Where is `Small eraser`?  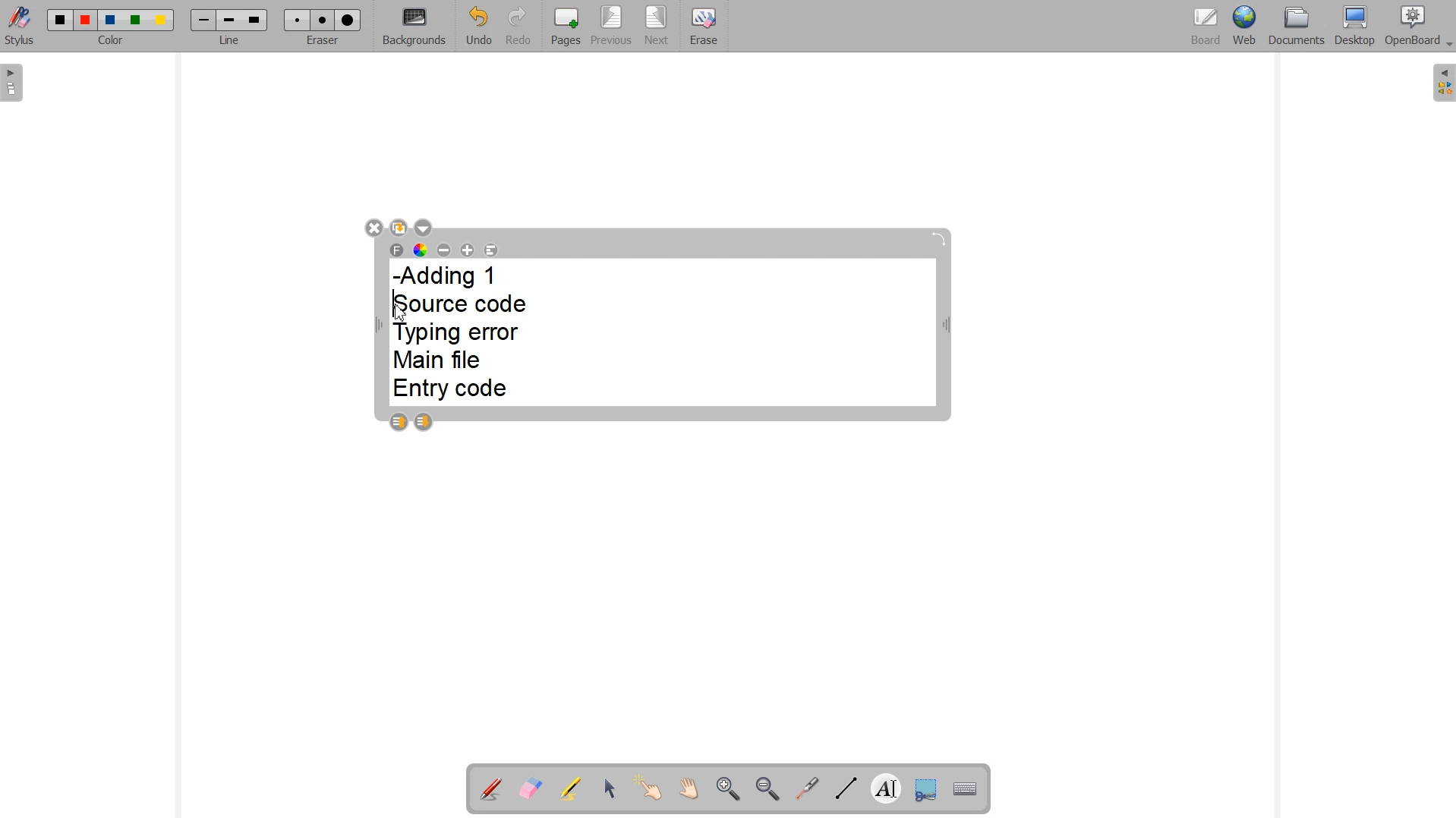 Small eraser is located at coordinates (298, 20).